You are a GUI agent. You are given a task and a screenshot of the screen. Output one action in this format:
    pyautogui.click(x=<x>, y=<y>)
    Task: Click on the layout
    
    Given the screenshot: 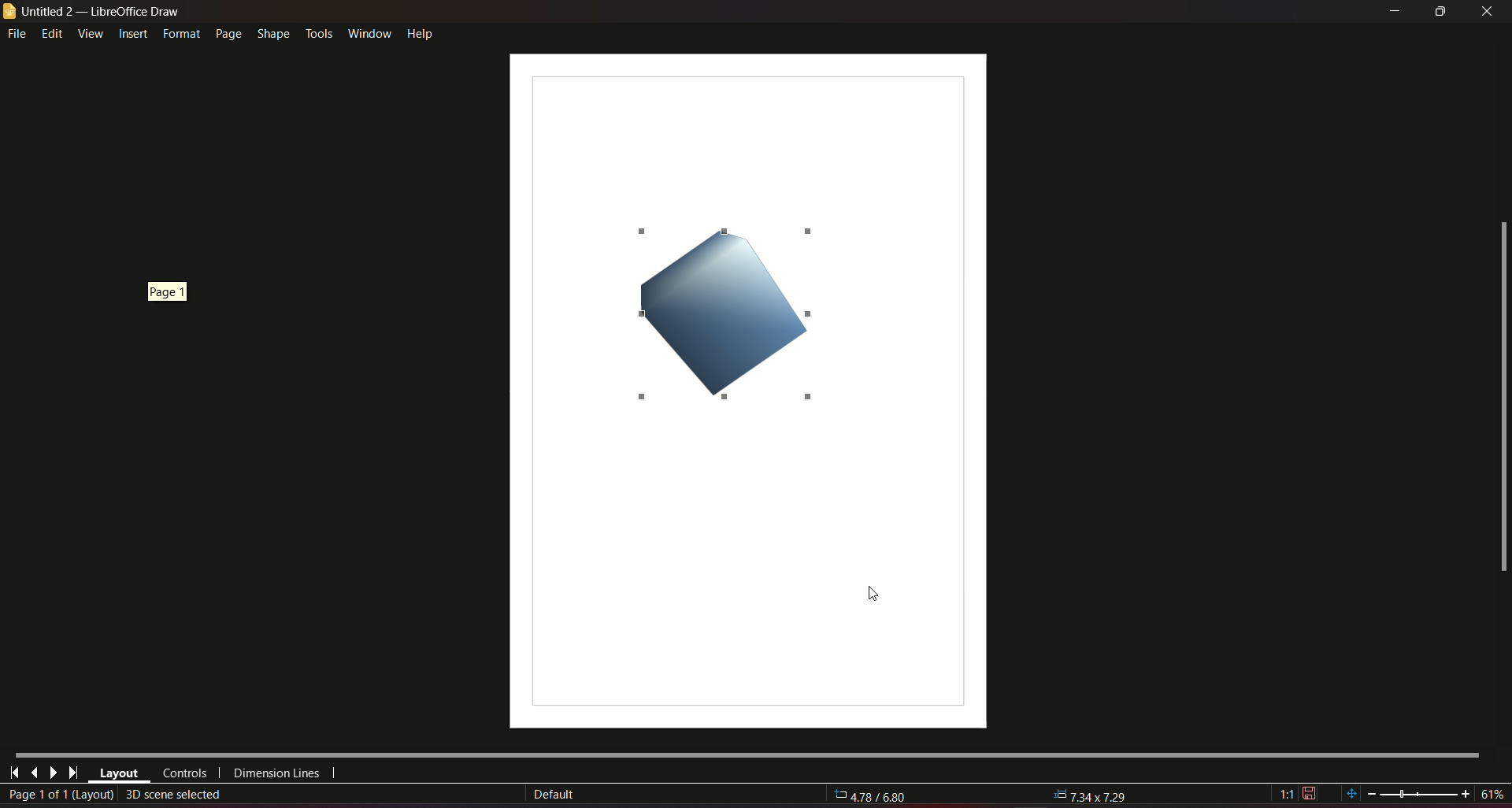 What is the action you would take?
    pyautogui.click(x=119, y=774)
    